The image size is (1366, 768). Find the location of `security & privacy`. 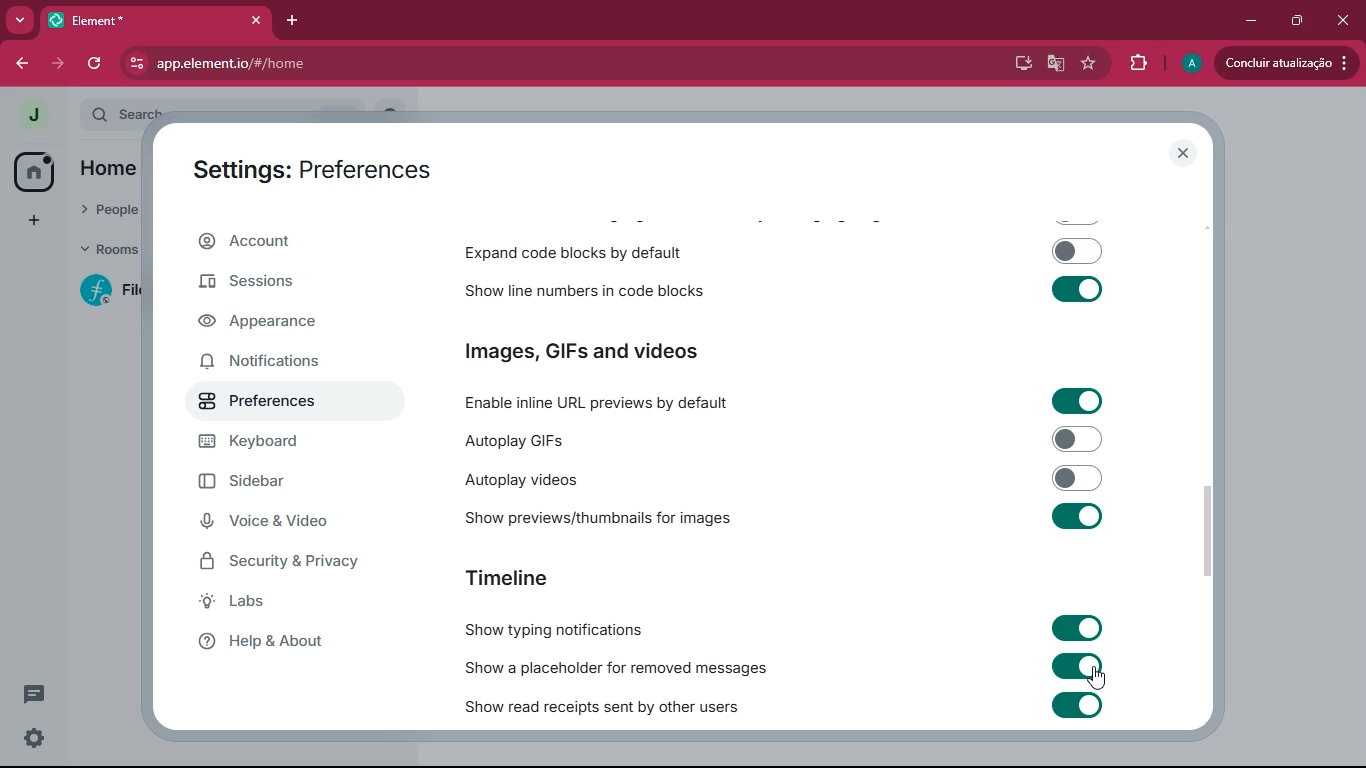

security & privacy is located at coordinates (285, 565).